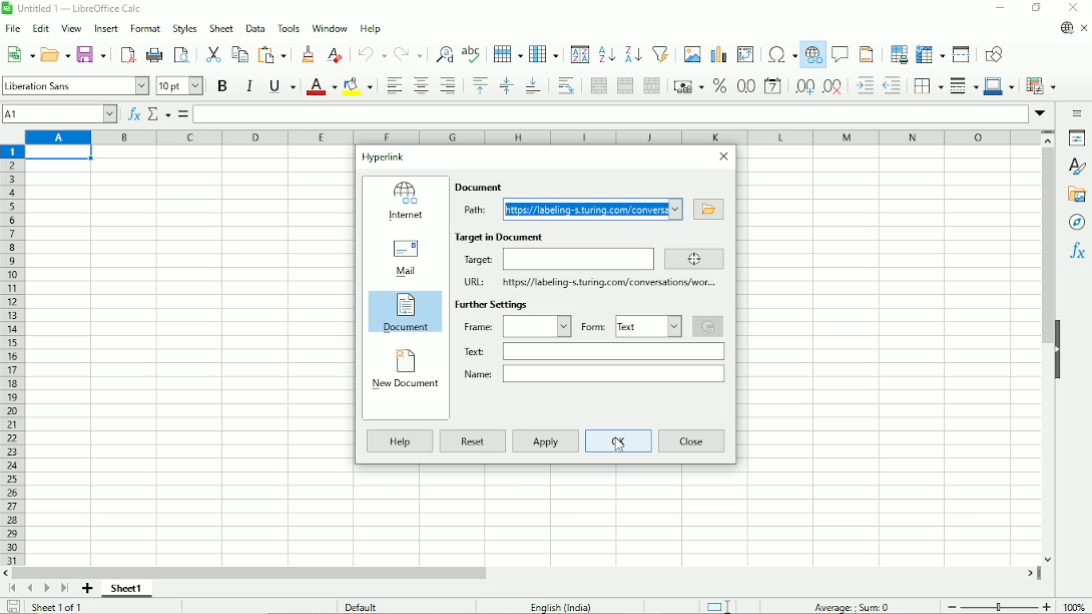 Image resolution: width=1092 pixels, height=614 pixels. What do you see at coordinates (773, 87) in the screenshot?
I see `Format as date` at bounding box center [773, 87].